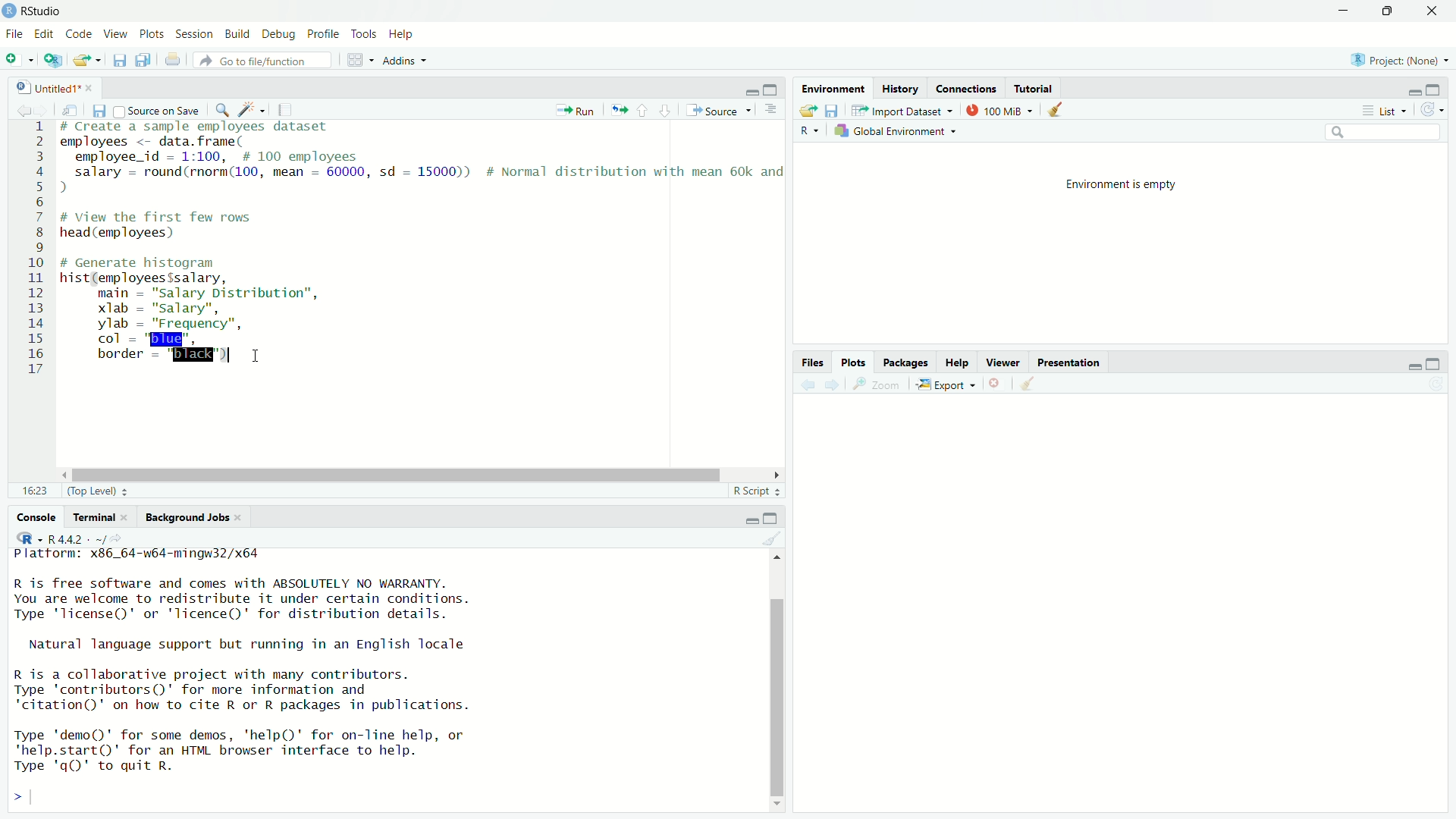 The image size is (1456, 819). What do you see at coordinates (20, 60) in the screenshot?
I see `menu` at bounding box center [20, 60].